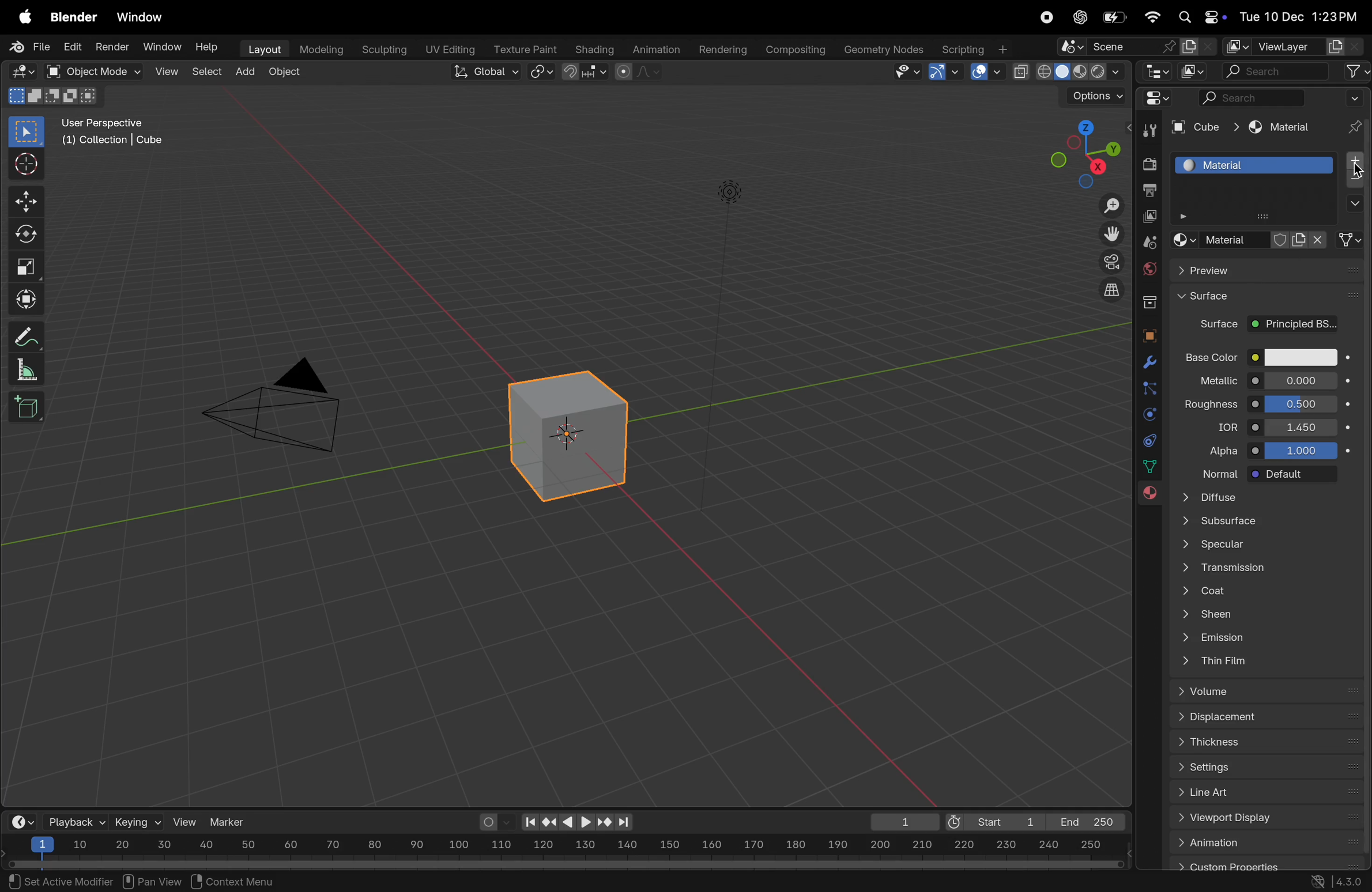  I want to click on idr, so click(1218, 429).